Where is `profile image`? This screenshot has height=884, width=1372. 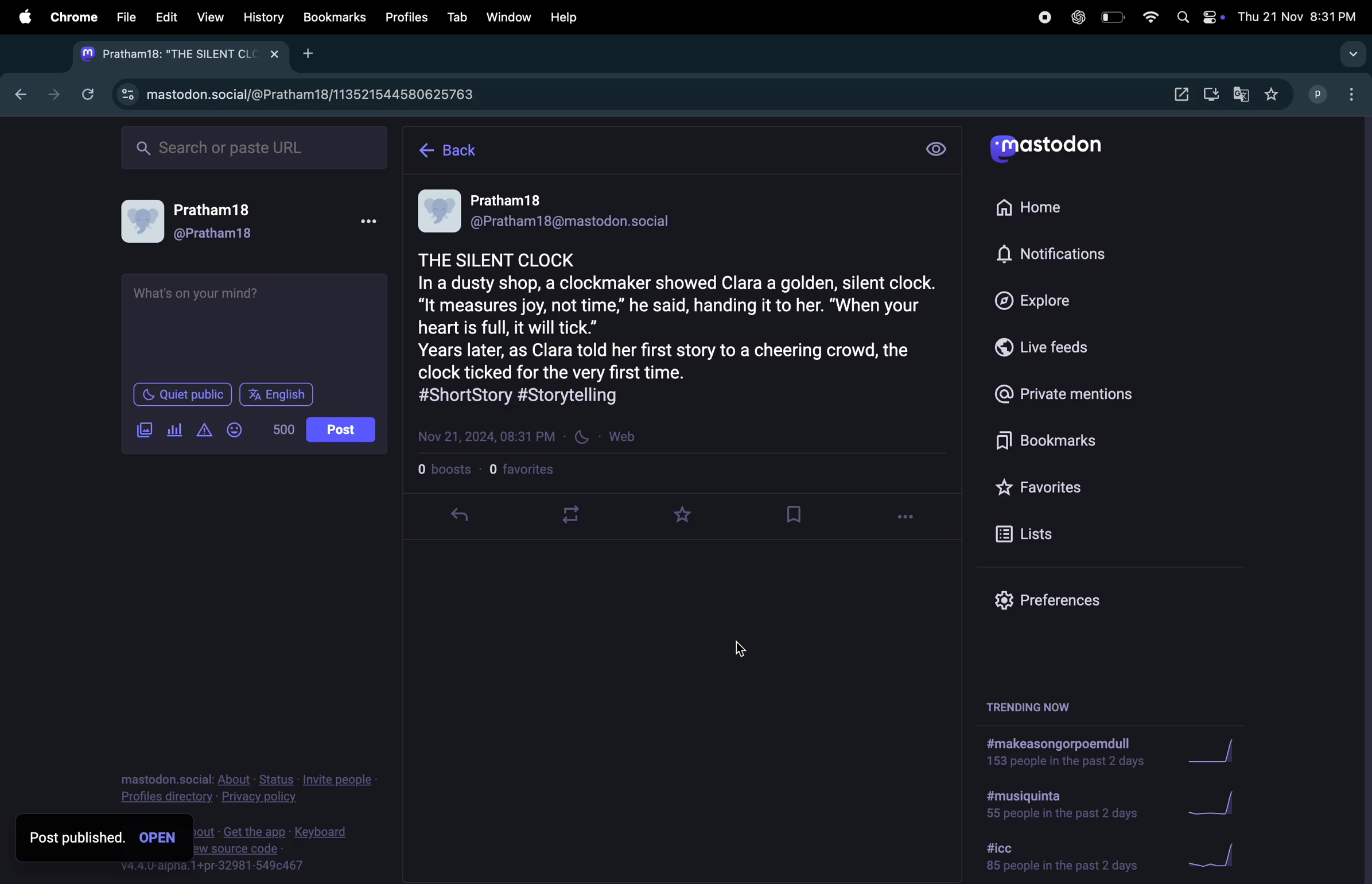
profile image is located at coordinates (437, 209).